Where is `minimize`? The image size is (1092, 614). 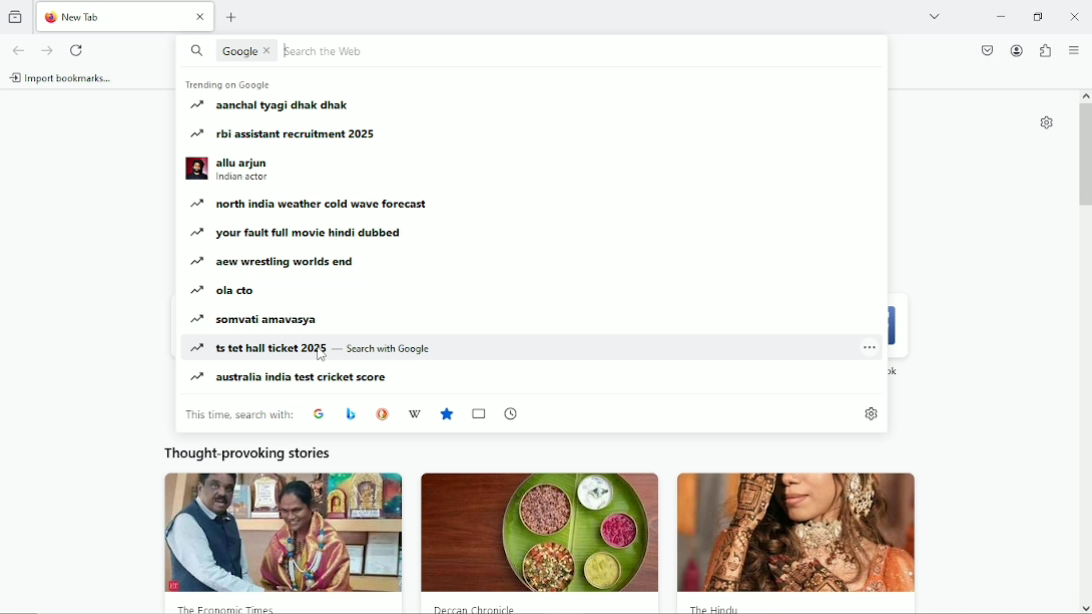
minimize is located at coordinates (1000, 17).